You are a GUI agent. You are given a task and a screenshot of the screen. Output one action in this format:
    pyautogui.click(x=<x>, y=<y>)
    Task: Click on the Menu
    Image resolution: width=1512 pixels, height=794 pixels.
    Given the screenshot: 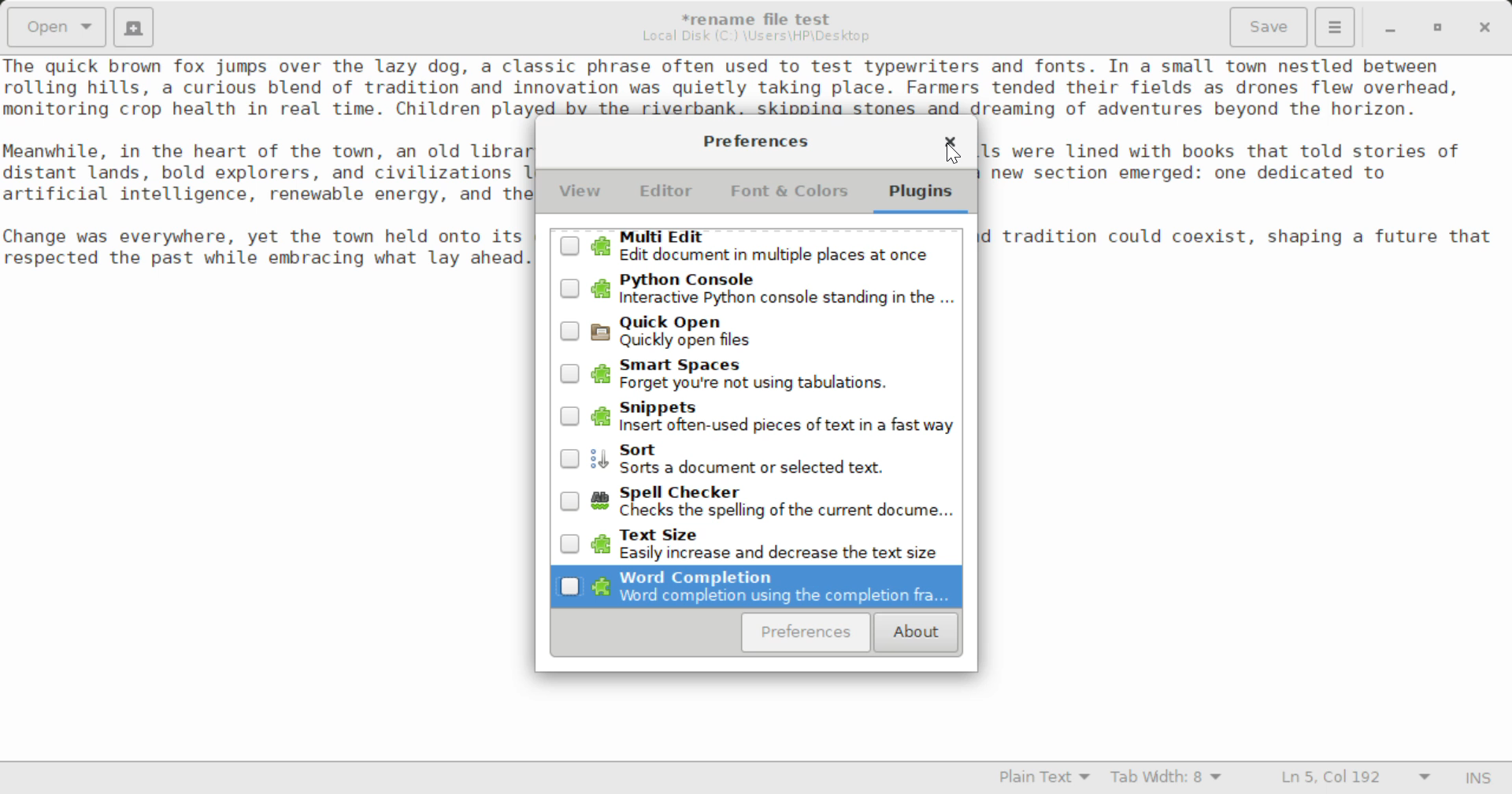 What is the action you would take?
    pyautogui.click(x=1334, y=25)
    